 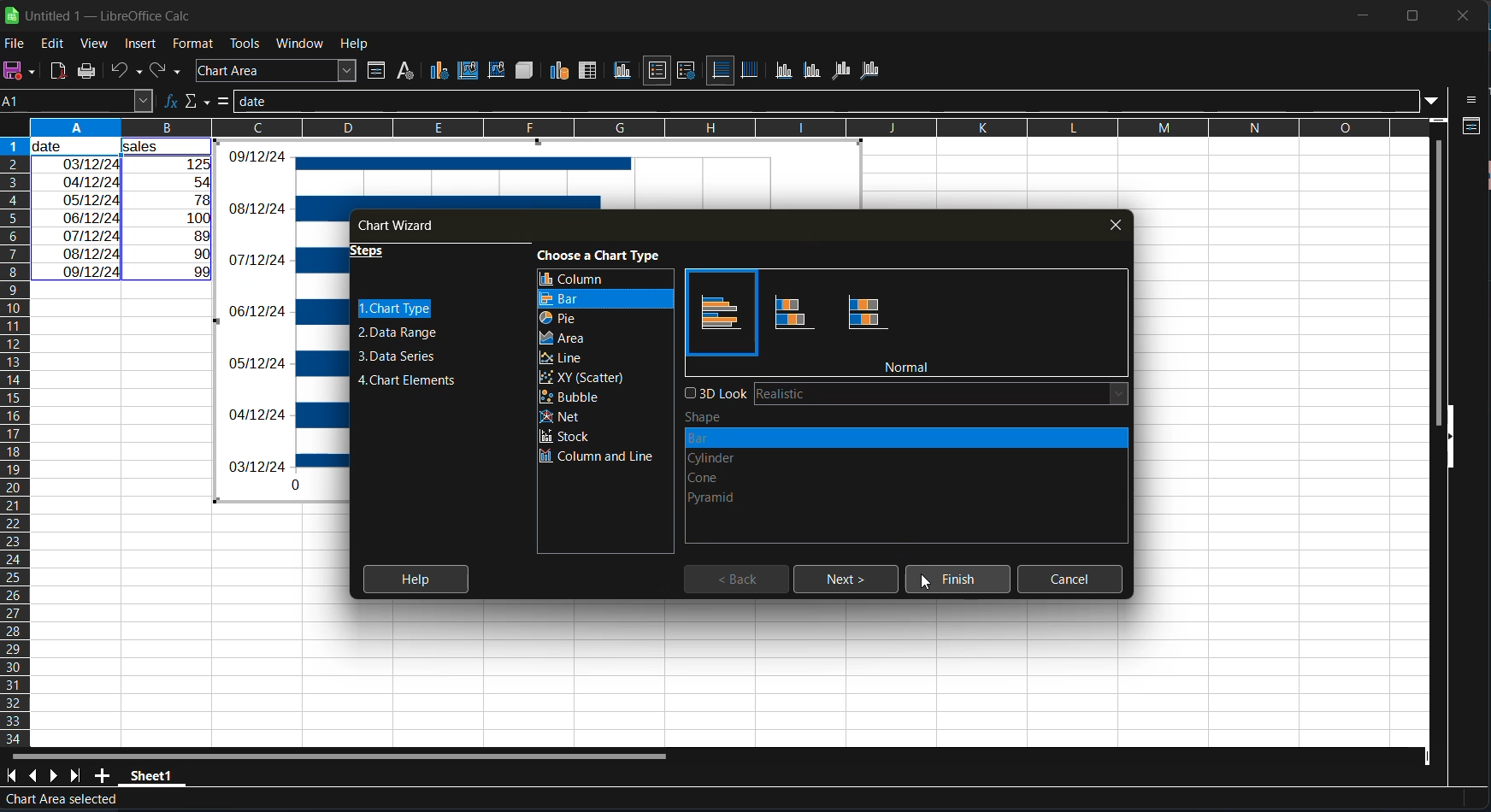 I want to click on cancel, so click(x=1074, y=578).